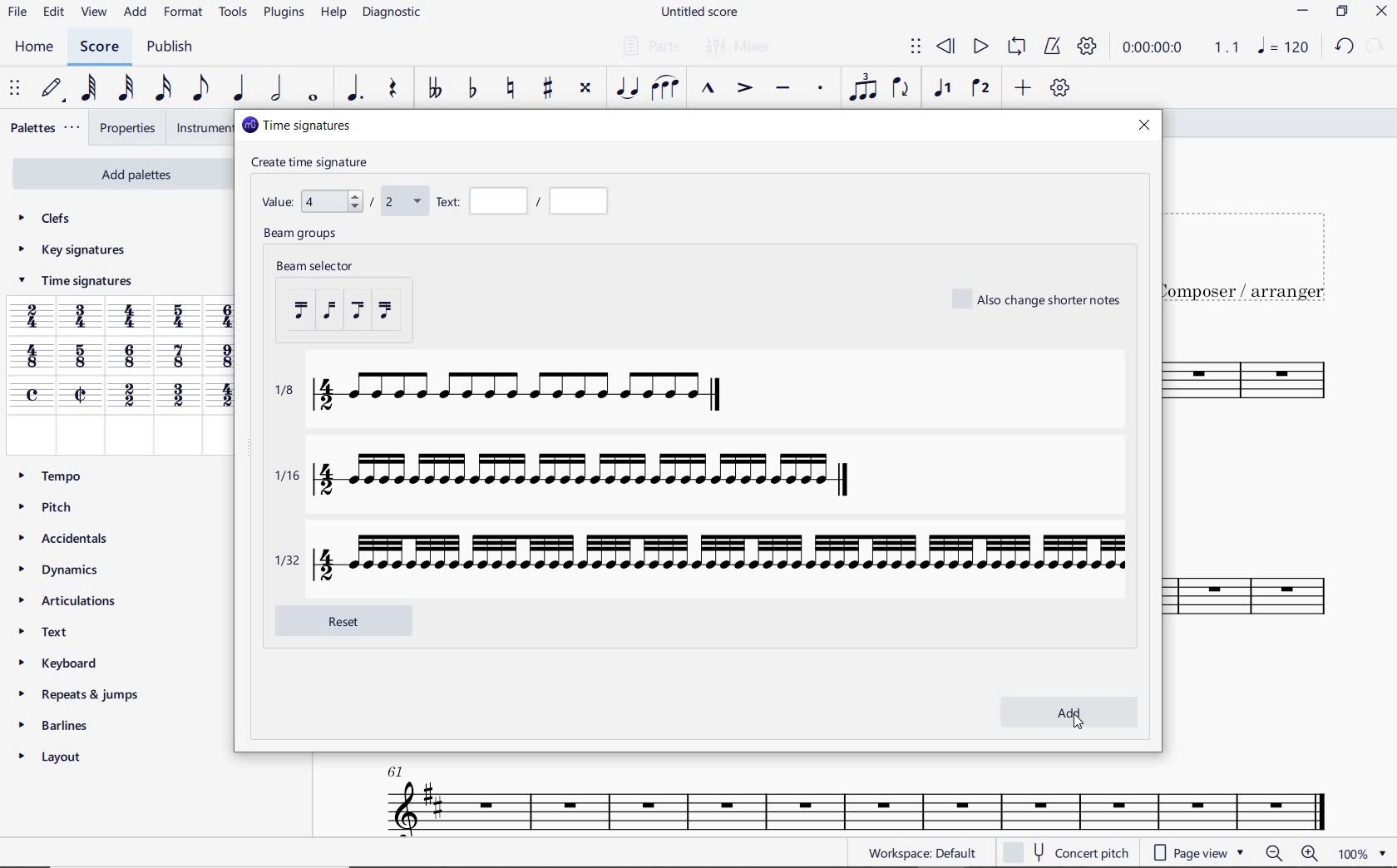 The height and width of the screenshot is (868, 1397). Describe the element at coordinates (434, 89) in the screenshot. I see `TOGGLE-DOUBLE FLAT` at that location.